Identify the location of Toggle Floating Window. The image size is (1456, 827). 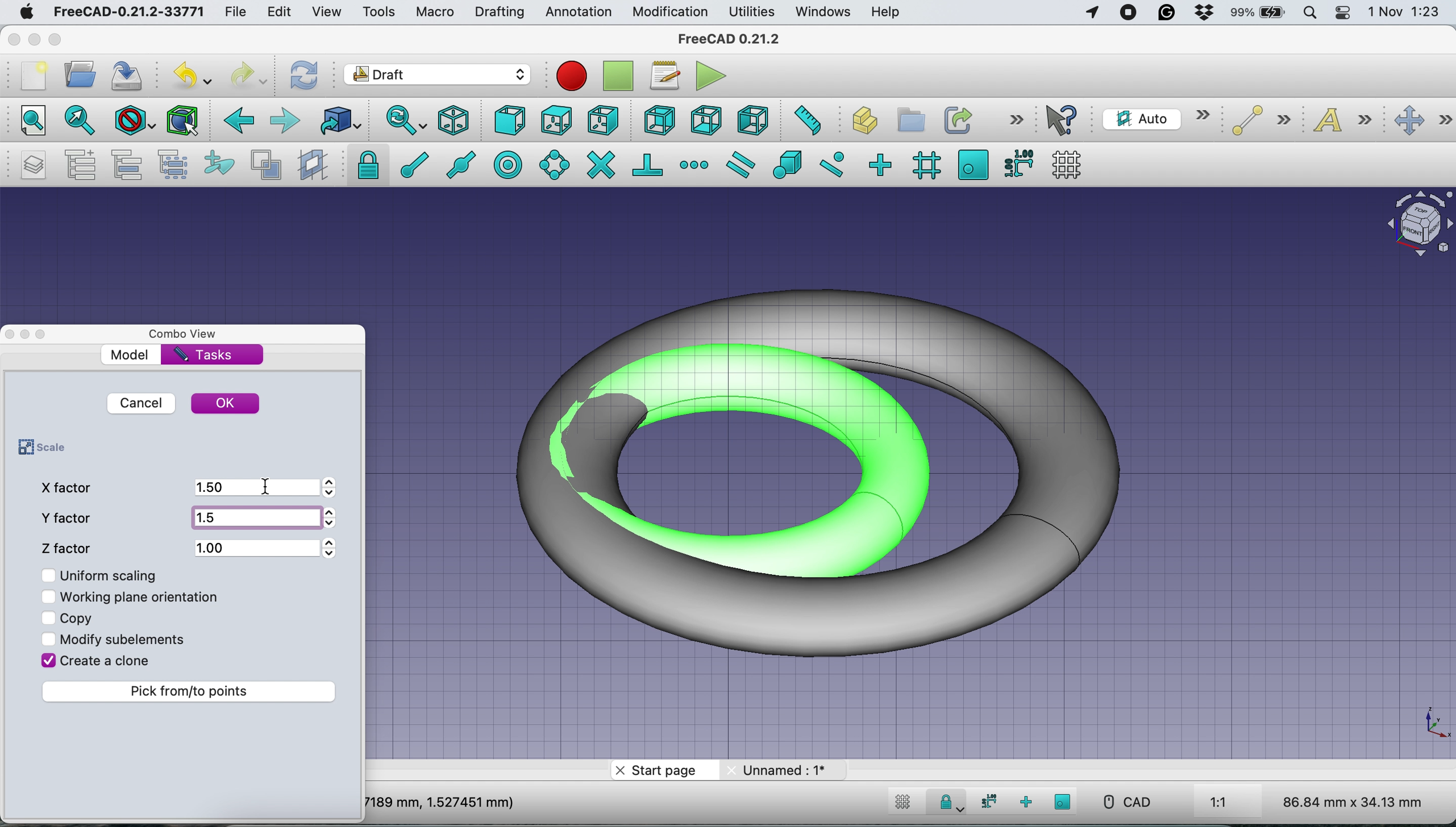
(27, 335).